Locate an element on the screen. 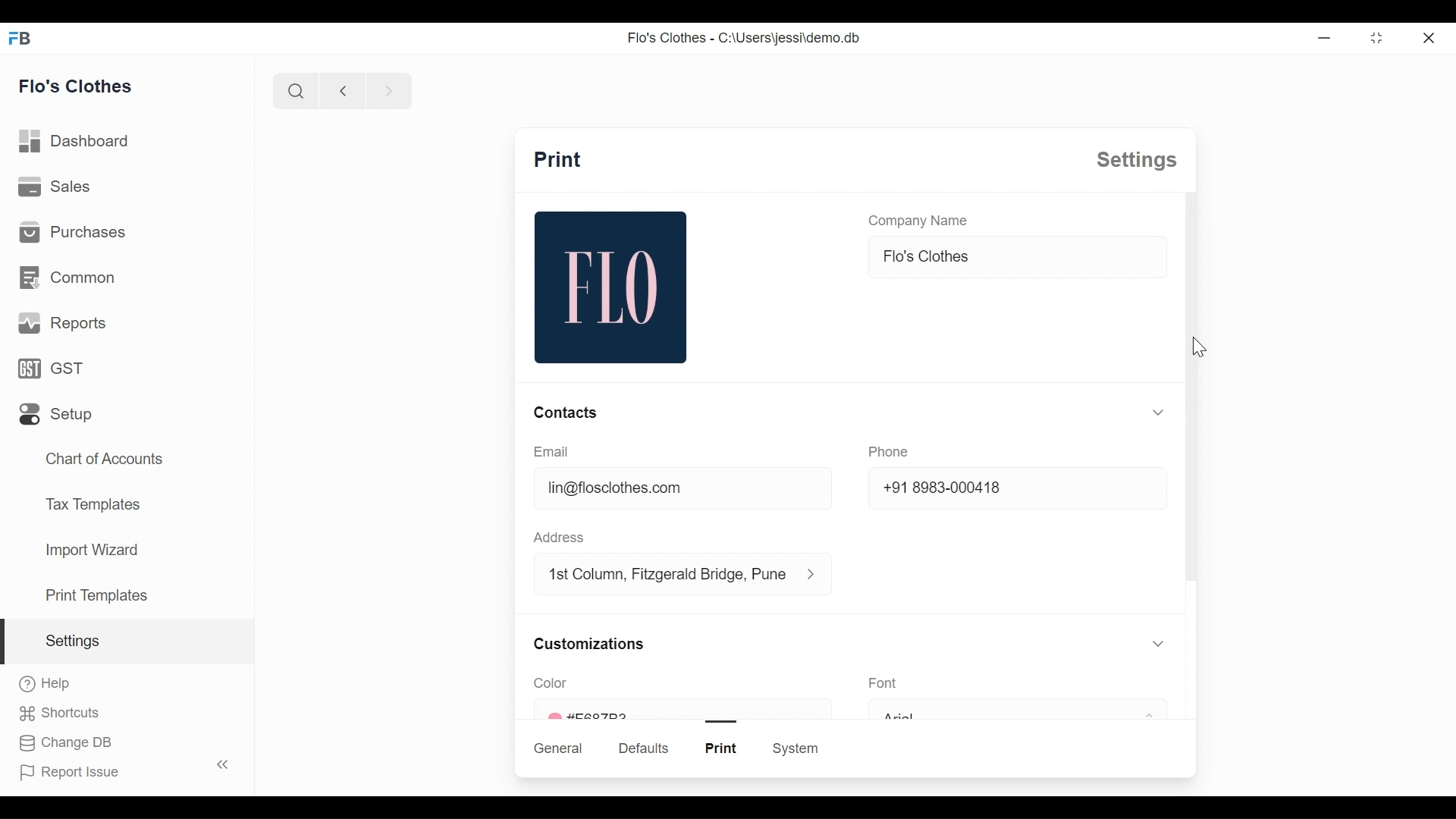 The height and width of the screenshot is (819, 1456). search is located at coordinates (295, 90).